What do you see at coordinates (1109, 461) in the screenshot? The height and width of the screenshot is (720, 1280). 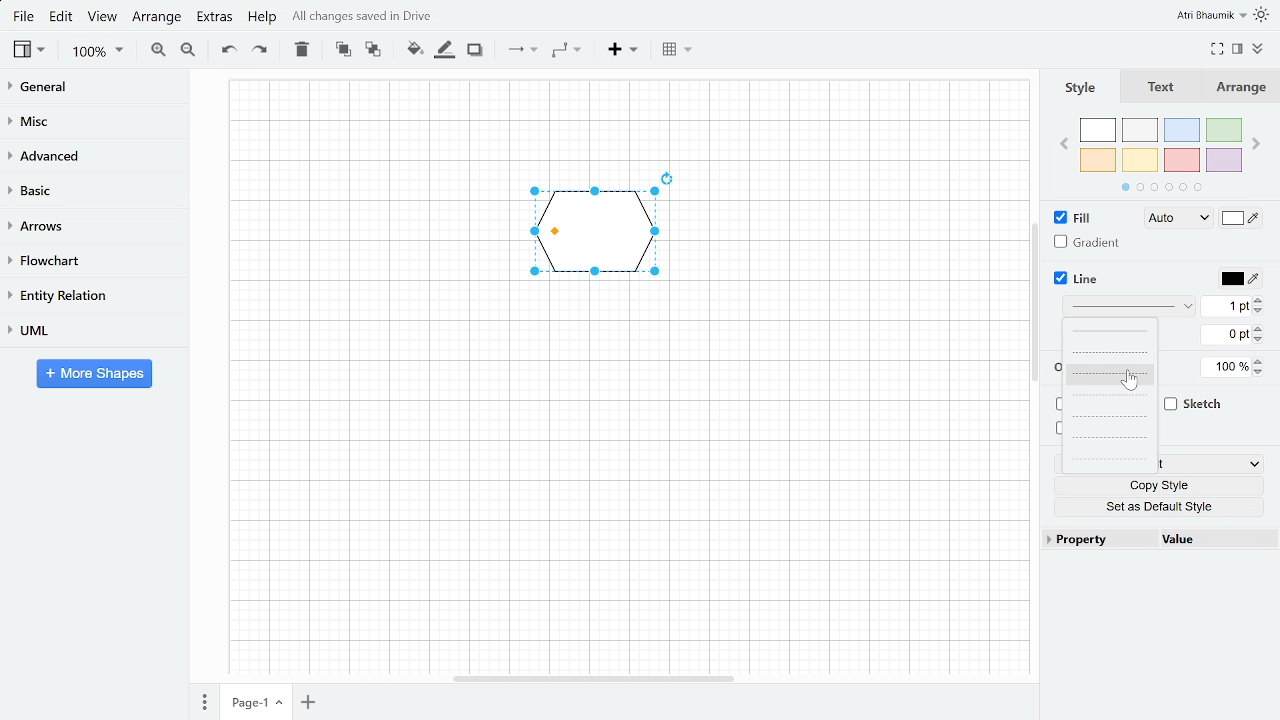 I see `Dotted 3` at bounding box center [1109, 461].